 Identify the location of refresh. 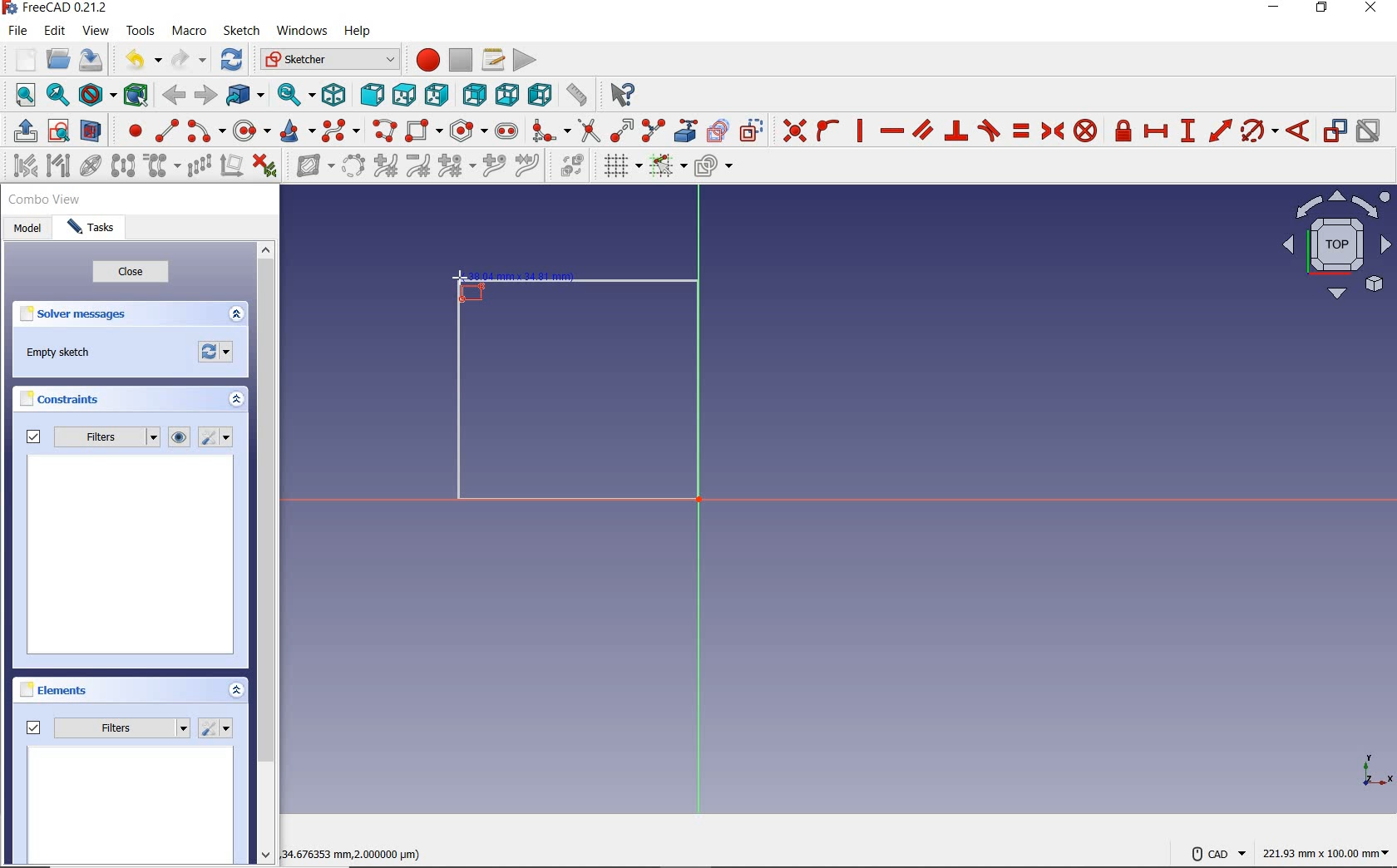
(231, 60).